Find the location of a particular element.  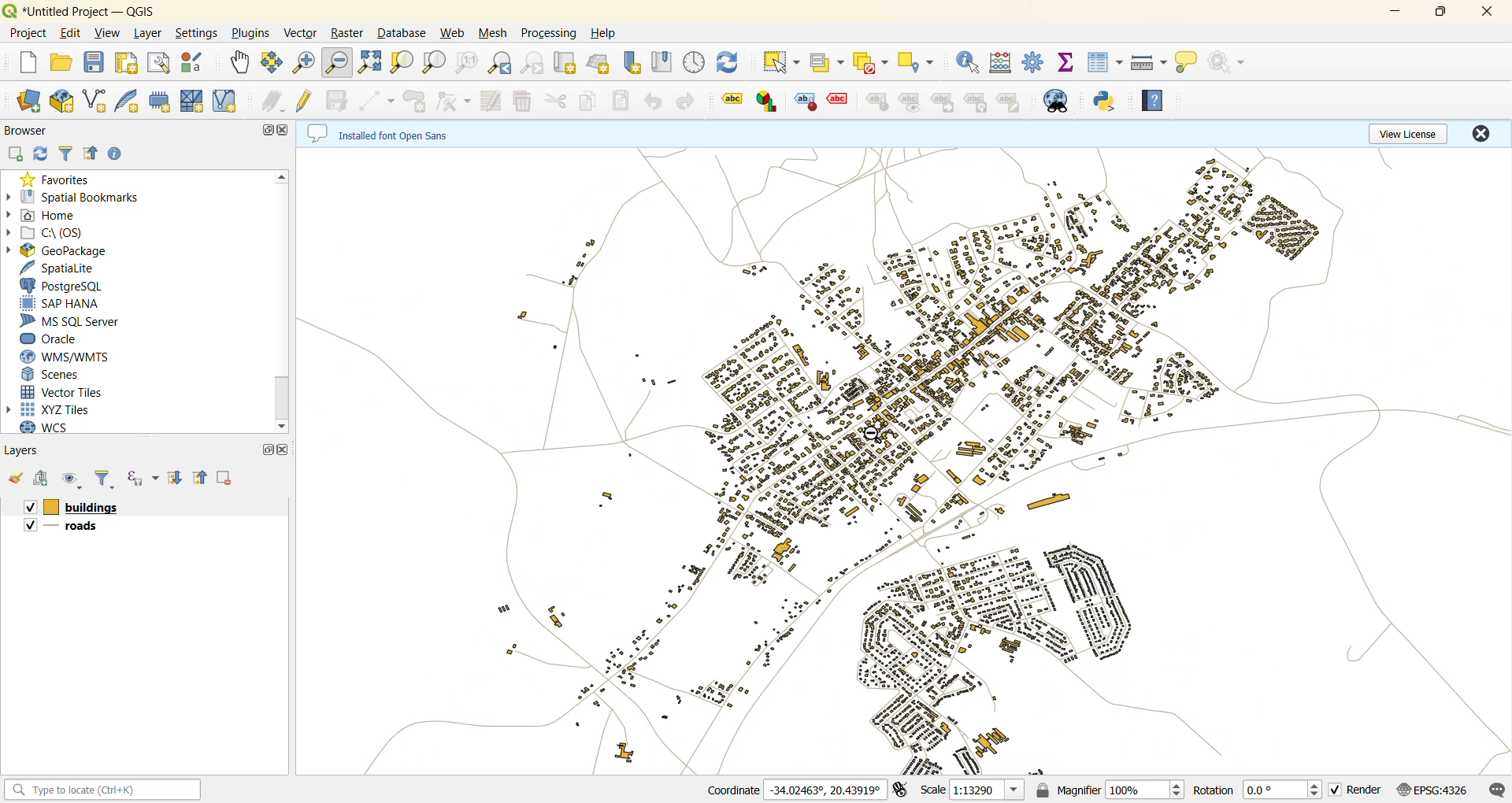

minimize is located at coordinates (1403, 10).